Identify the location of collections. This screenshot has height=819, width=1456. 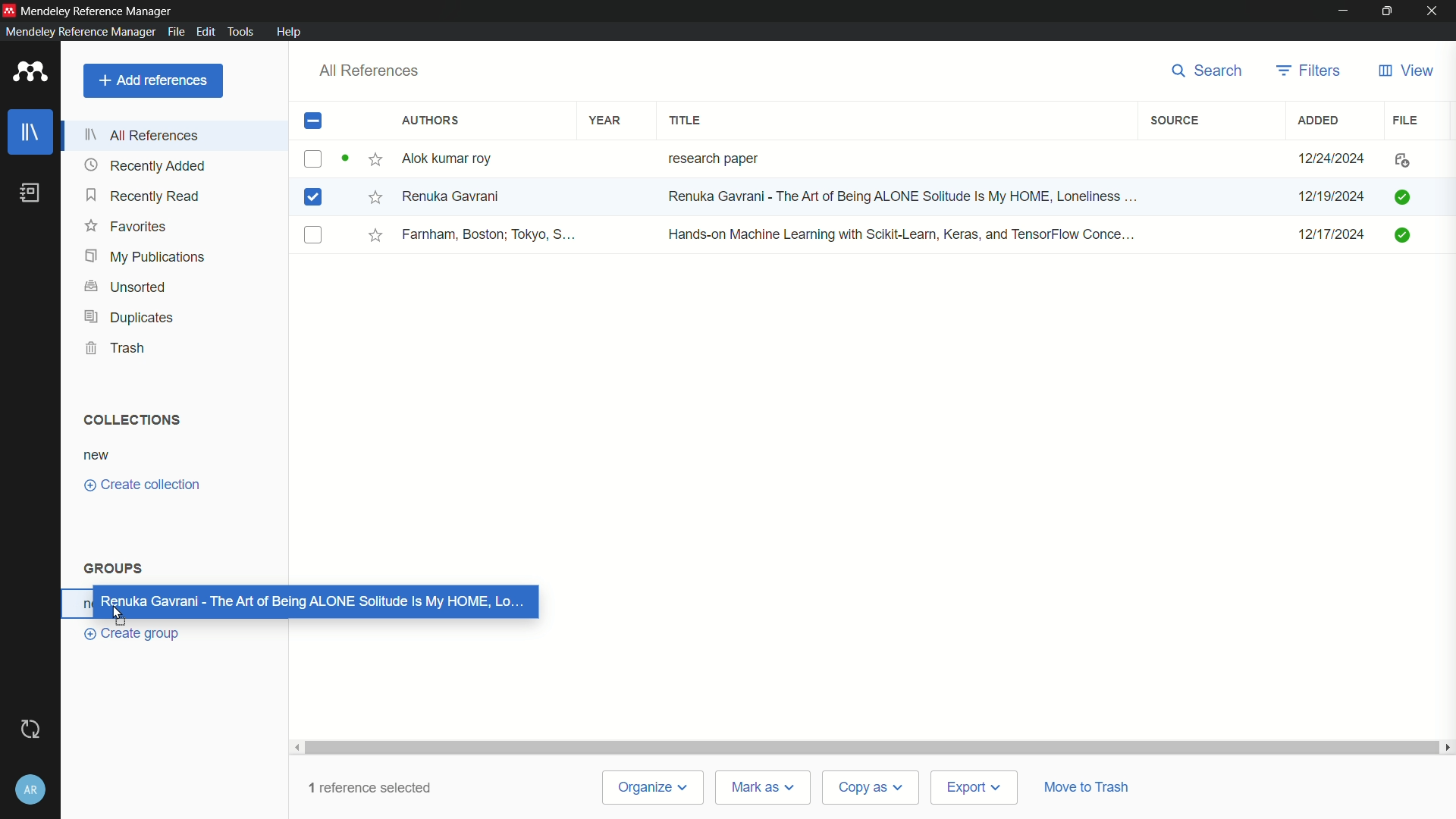
(128, 419).